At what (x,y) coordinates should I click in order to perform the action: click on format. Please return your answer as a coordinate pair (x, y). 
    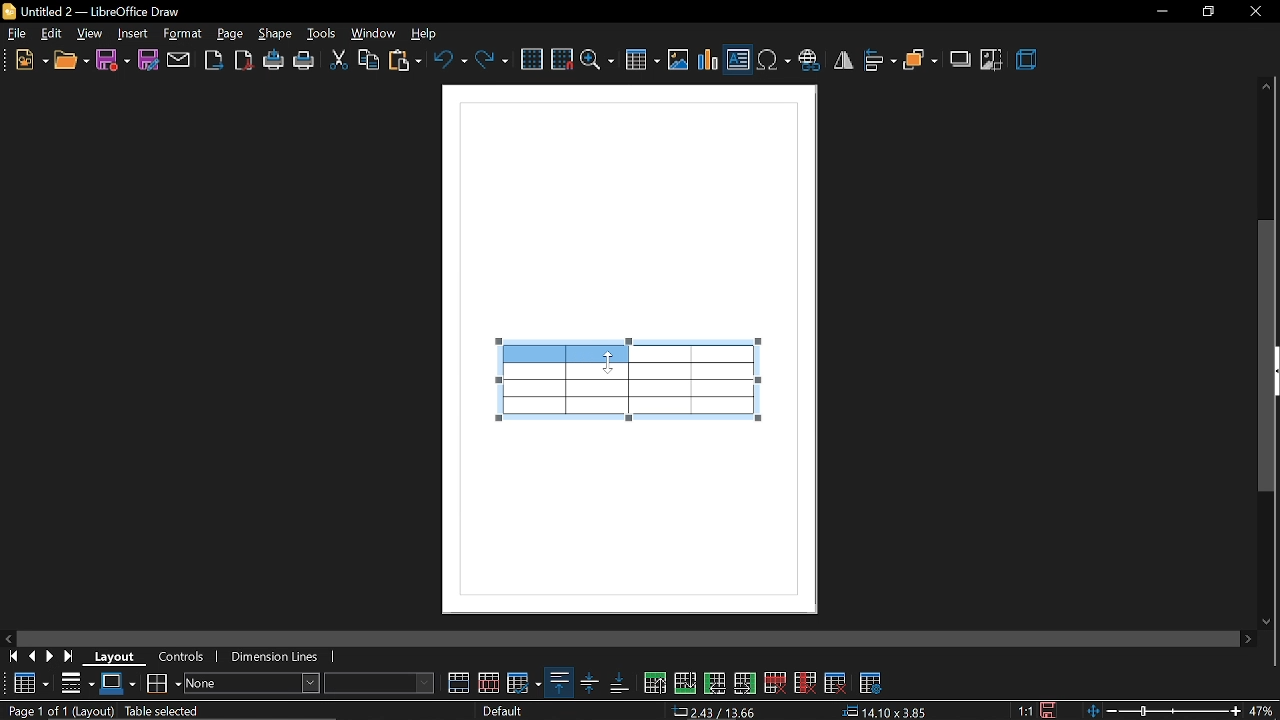
    Looking at the image, I should click on (183, 33).